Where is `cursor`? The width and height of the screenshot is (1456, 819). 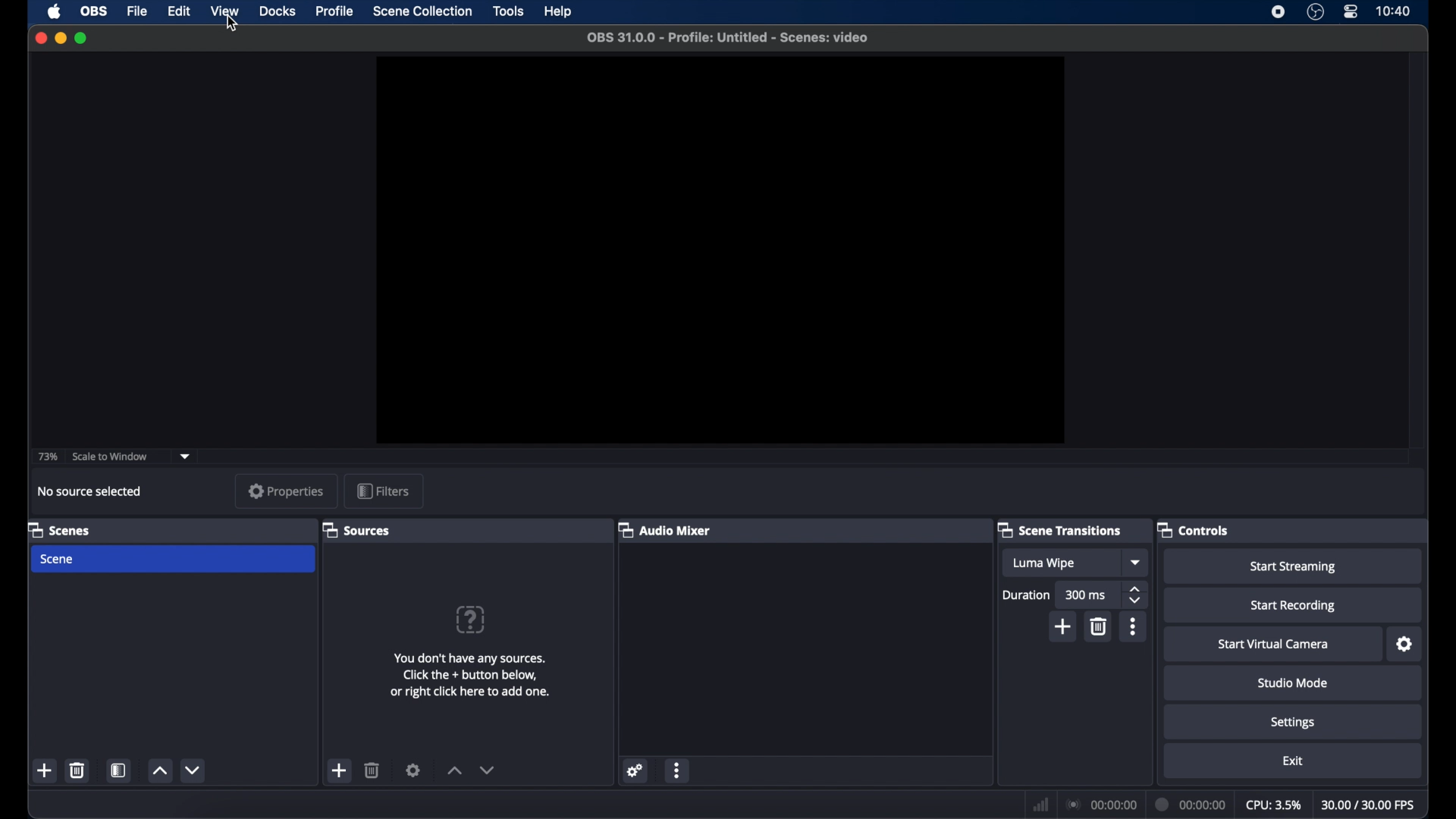
cursor is located at coordinates (231, 24).